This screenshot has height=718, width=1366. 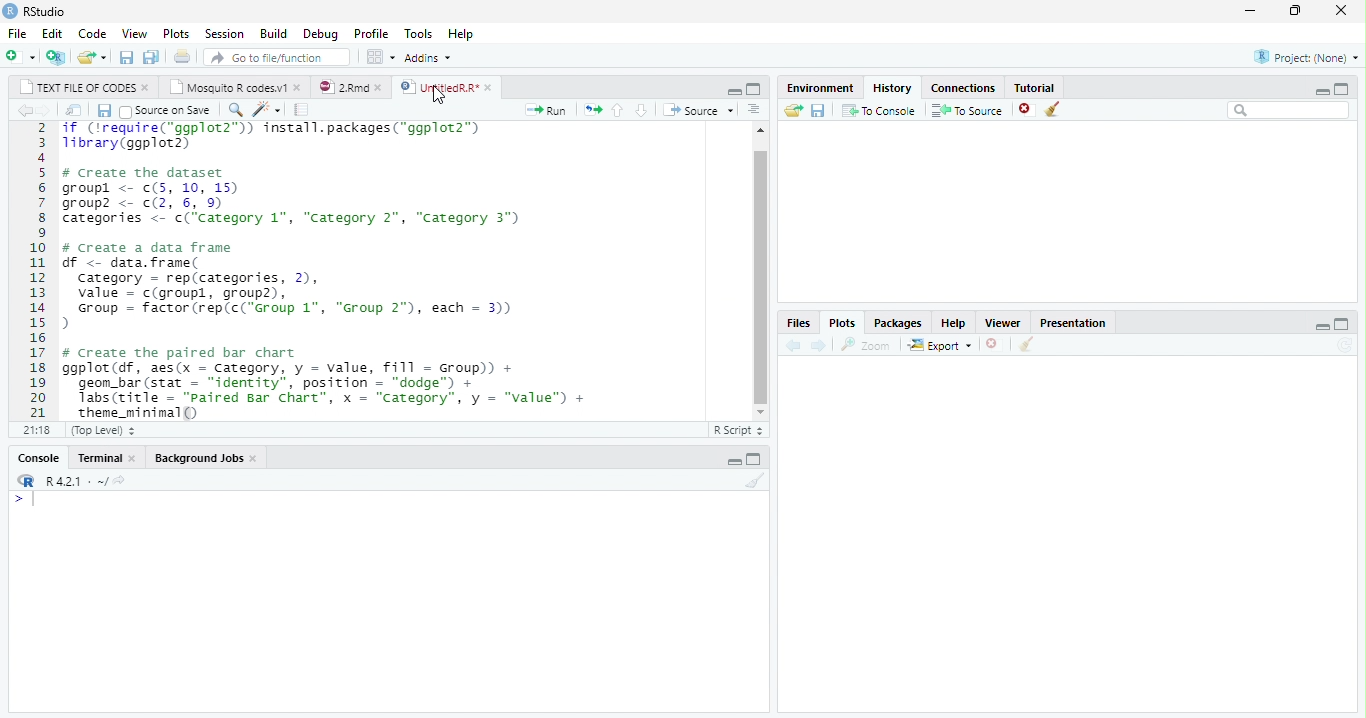 What do you see at coordinates (738, 431) in the screenshot?
I see `Rscript` at bounding box center [738, 431].